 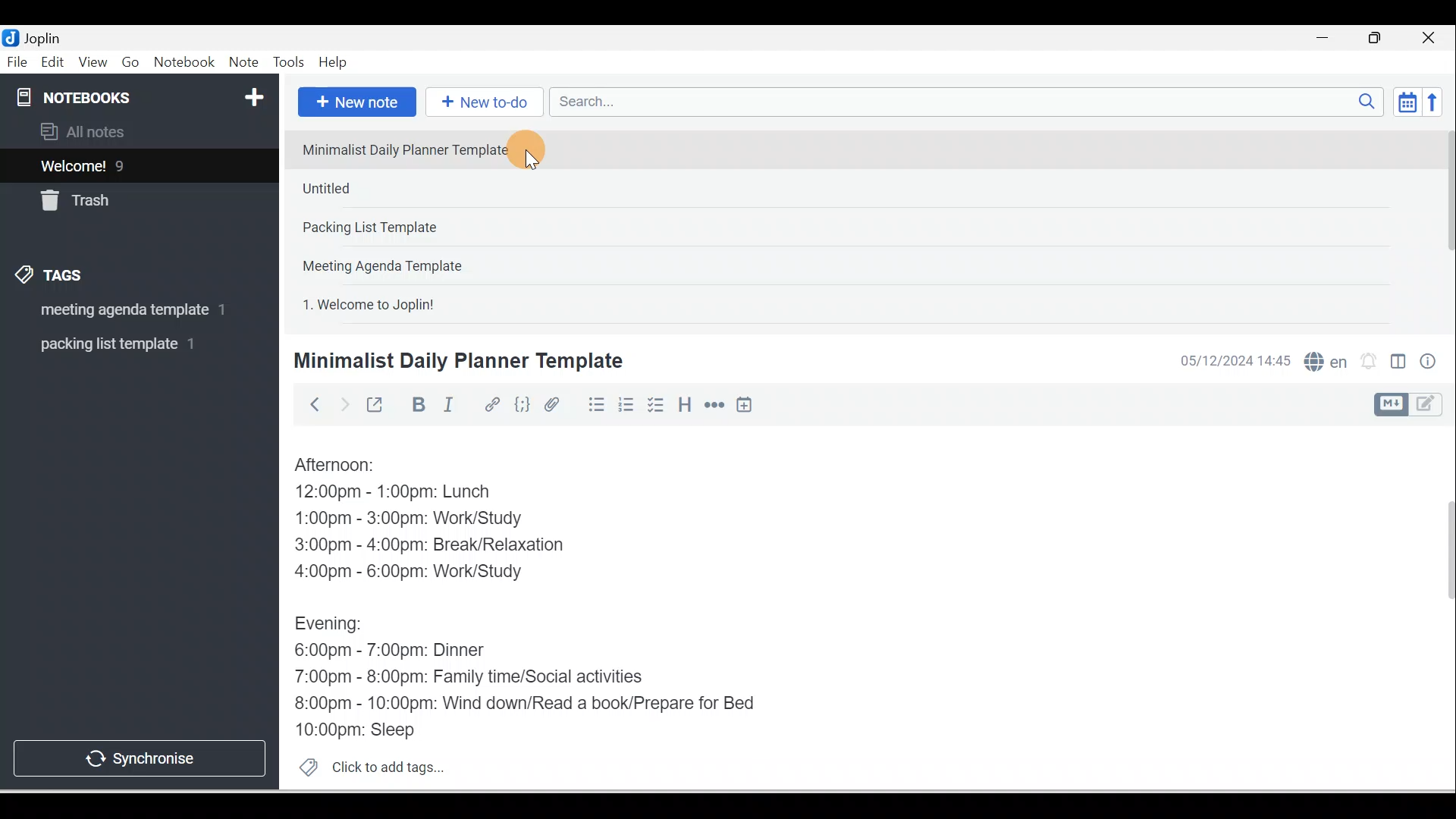 What do you see at coordinates (1232, 361) in the screenshot?
I see `Date & time` at bounding box center [1232, 361].